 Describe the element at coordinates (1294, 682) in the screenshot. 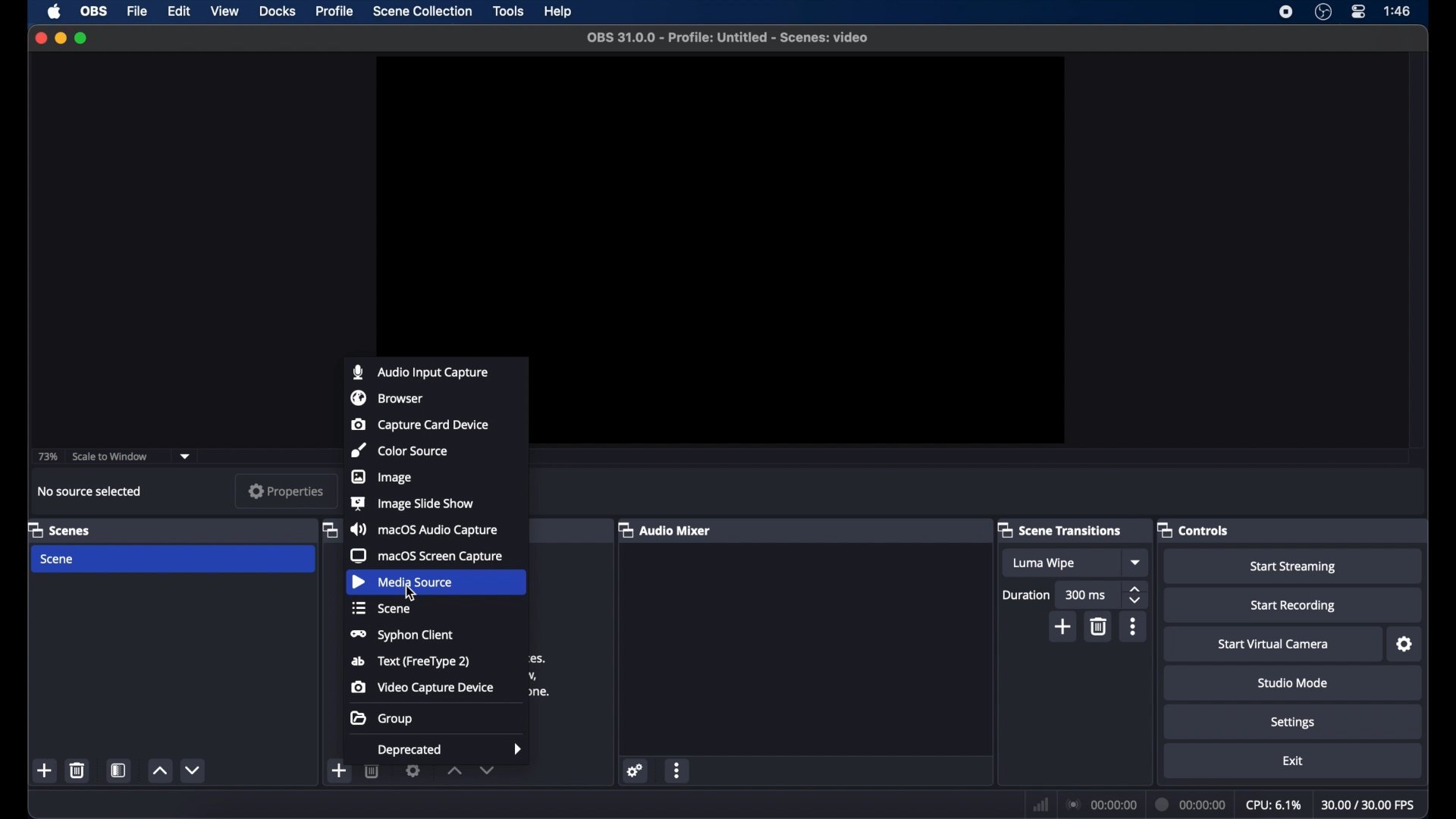

I see `studio mode` at that location.